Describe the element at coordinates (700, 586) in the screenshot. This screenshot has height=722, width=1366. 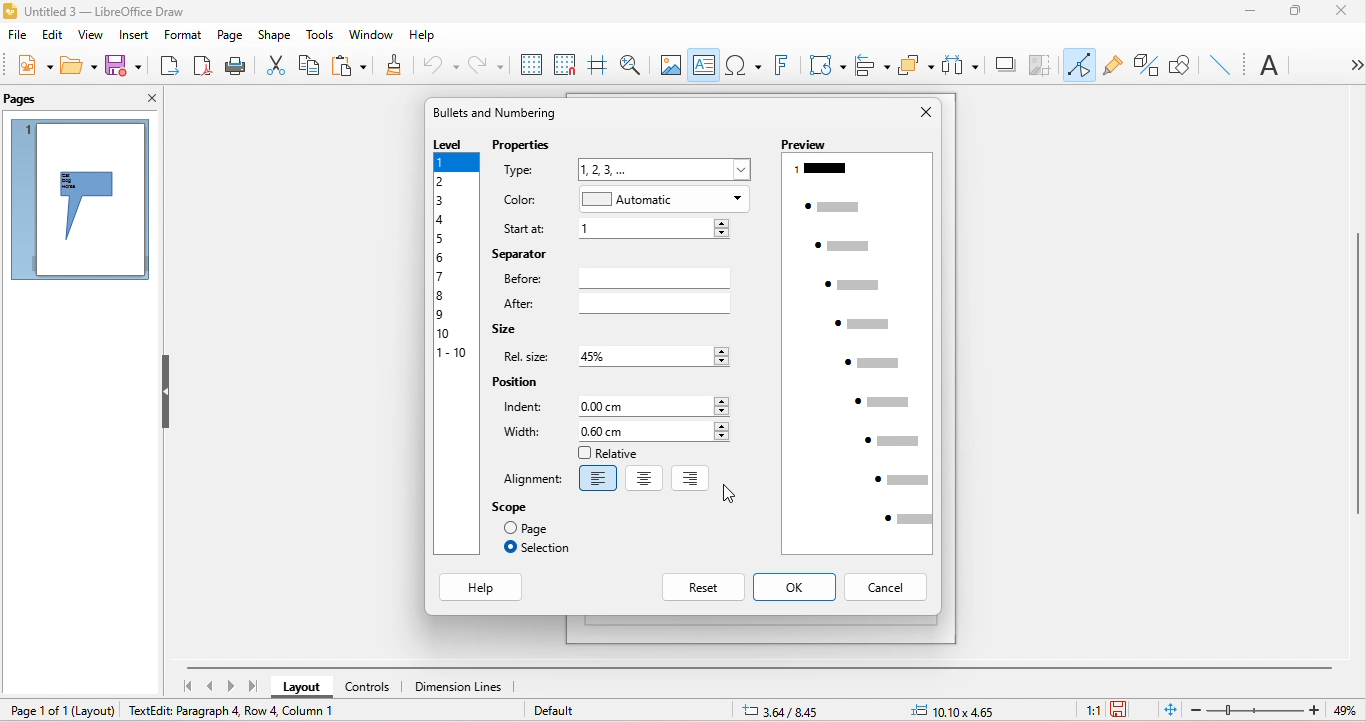
I see `reset` at that location.